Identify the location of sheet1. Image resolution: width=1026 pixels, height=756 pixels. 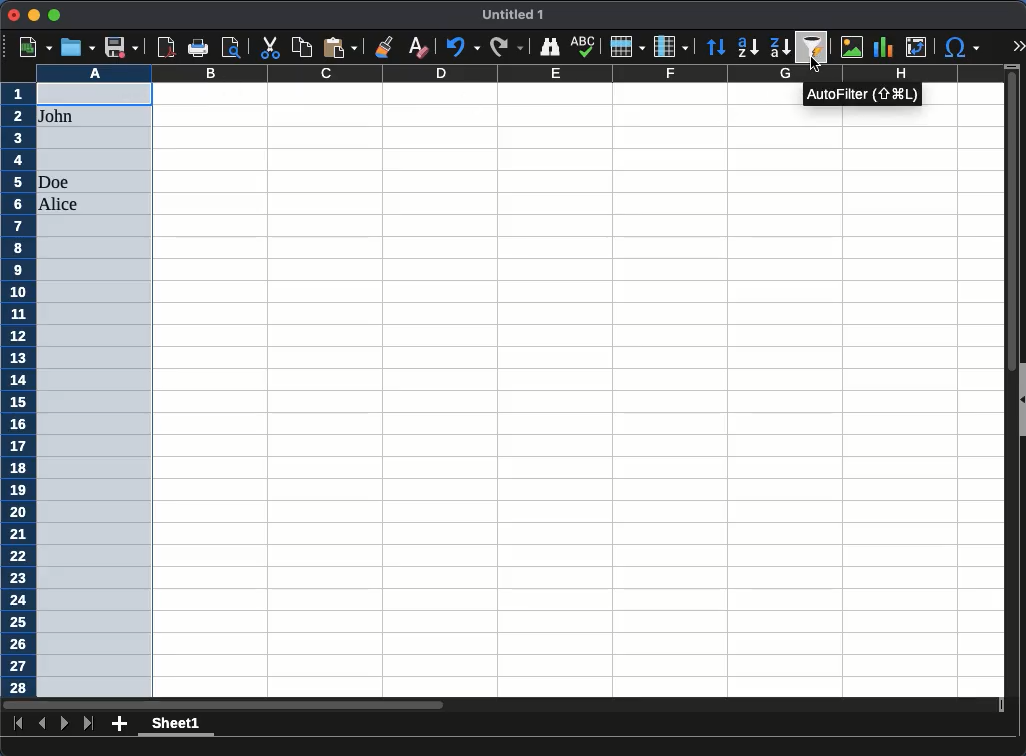
(174, 726).